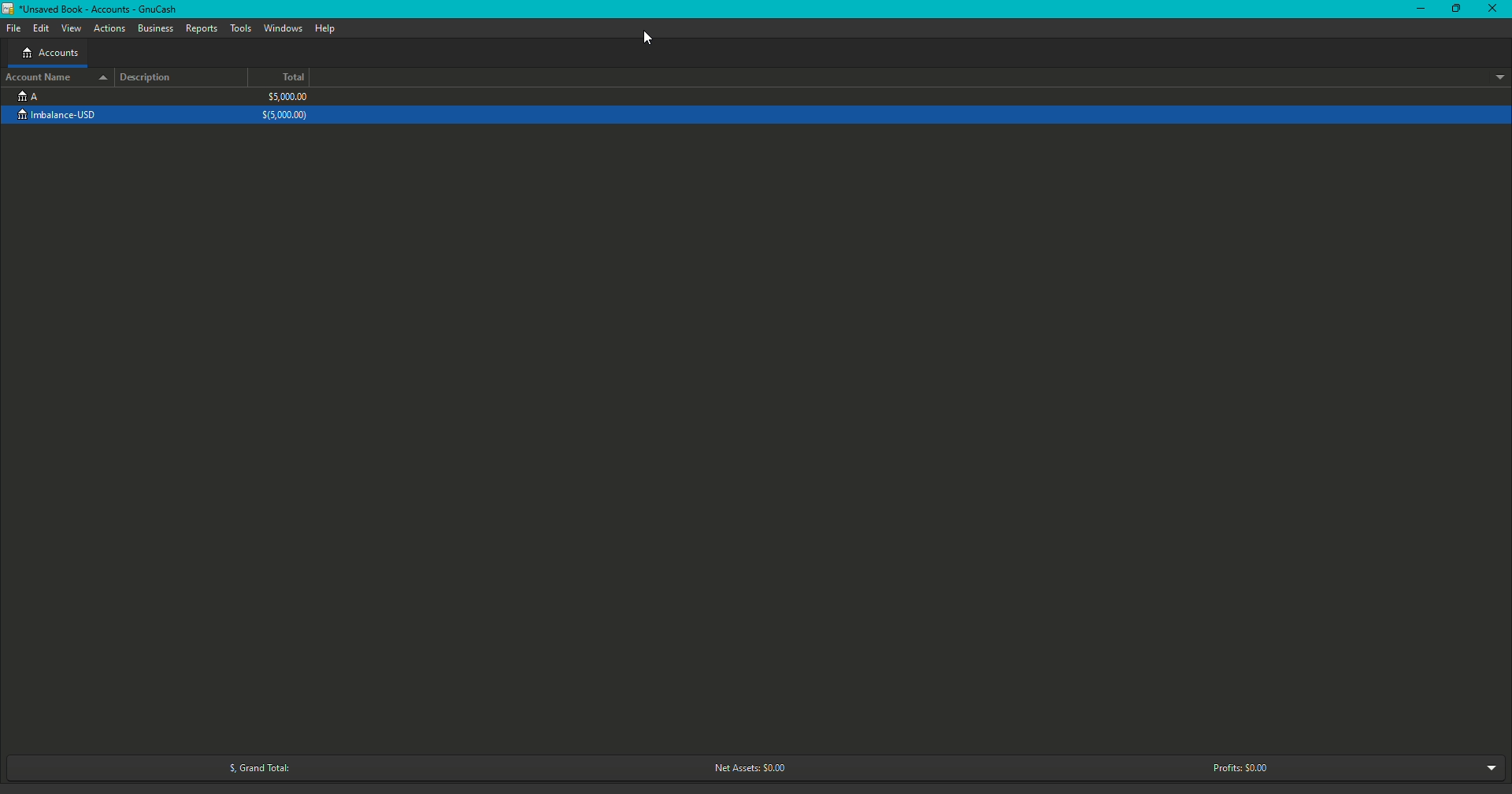 This screenshot has height=794, width=1512. Describe the element at coordinates (202, 28) in the screenshot. I see `Reports` at that location.